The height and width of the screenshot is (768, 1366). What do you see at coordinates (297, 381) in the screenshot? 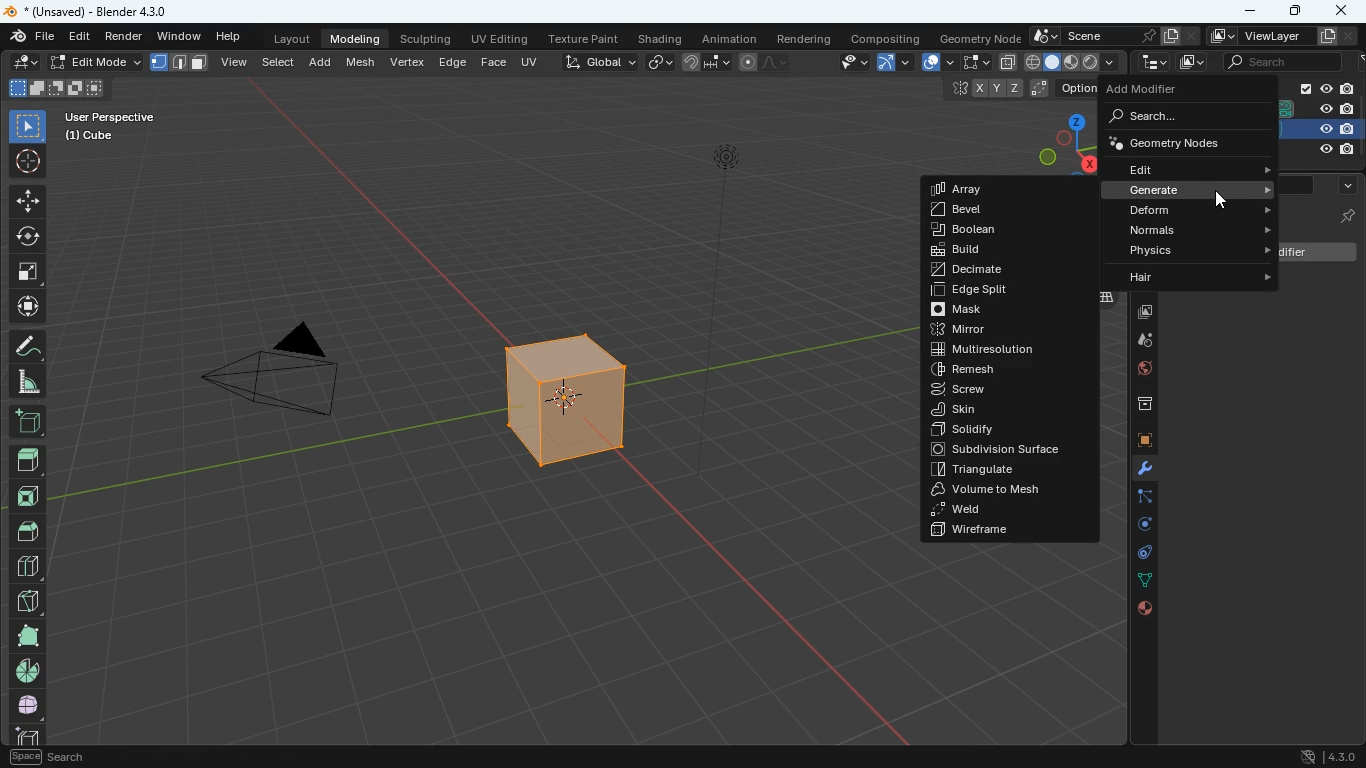
I see `camera` at bounding box center [297, 381].